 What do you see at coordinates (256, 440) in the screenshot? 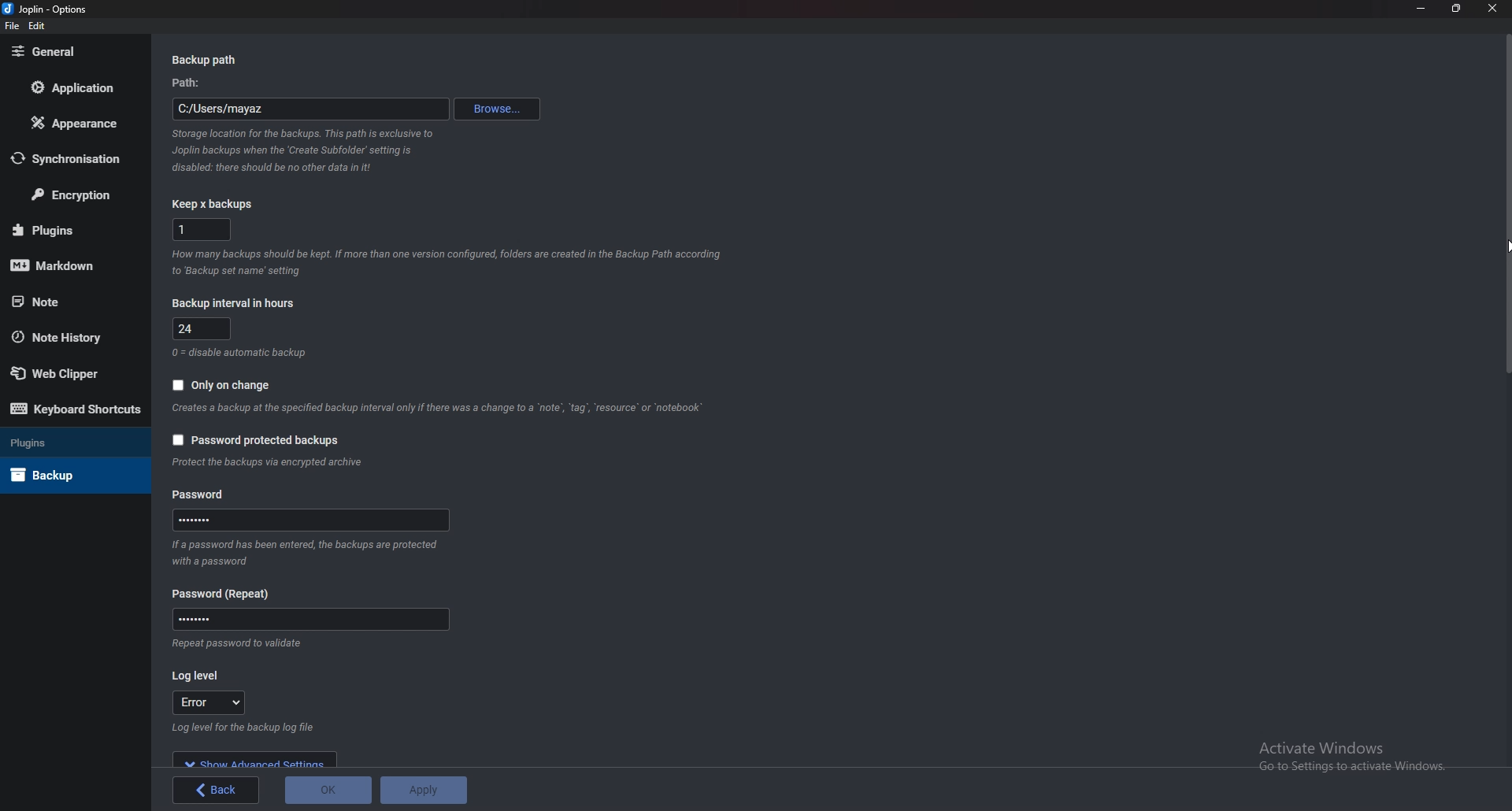
I see `Password protected backups` at bounding box center [256, 440].